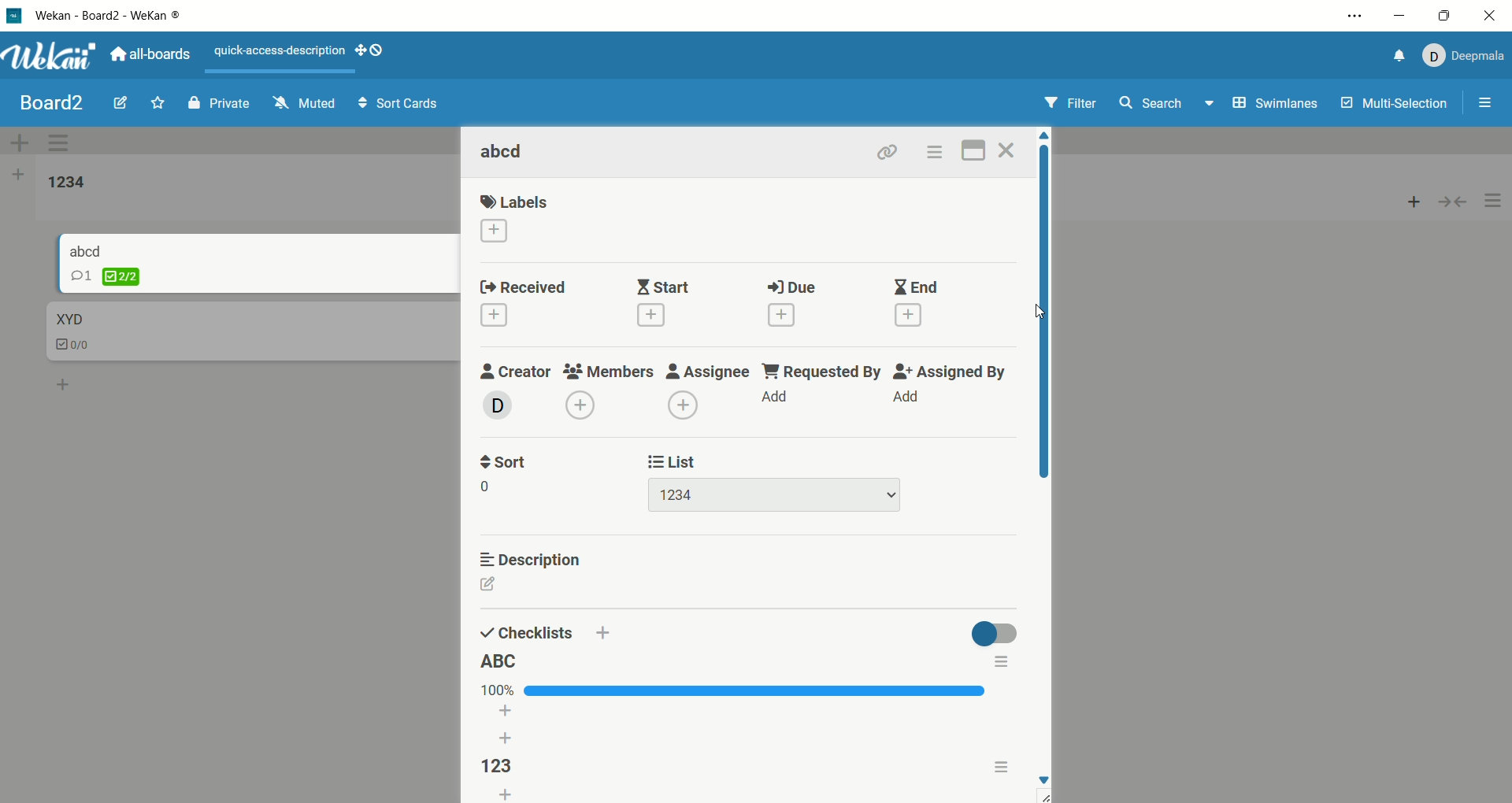 Image resolution: width=1512 pixels, height=803 pixels. Describe the element at coordinates (150, 53) in the screenshot. I see `all boards` at that location.